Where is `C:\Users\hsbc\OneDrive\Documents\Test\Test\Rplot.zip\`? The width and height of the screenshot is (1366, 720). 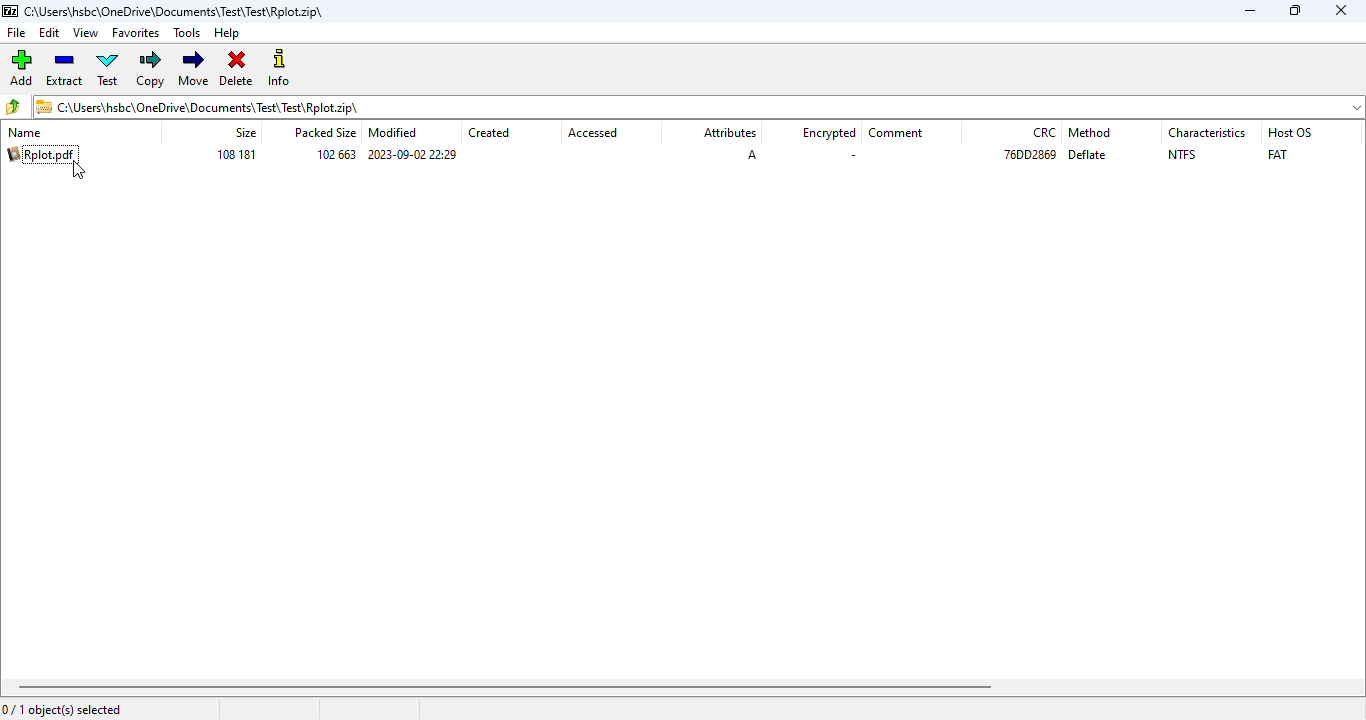 C:\Users\hsbc\OneDrive\Documents\Test\Test\Rplot.zip\ is located at coordinates (168, 11).